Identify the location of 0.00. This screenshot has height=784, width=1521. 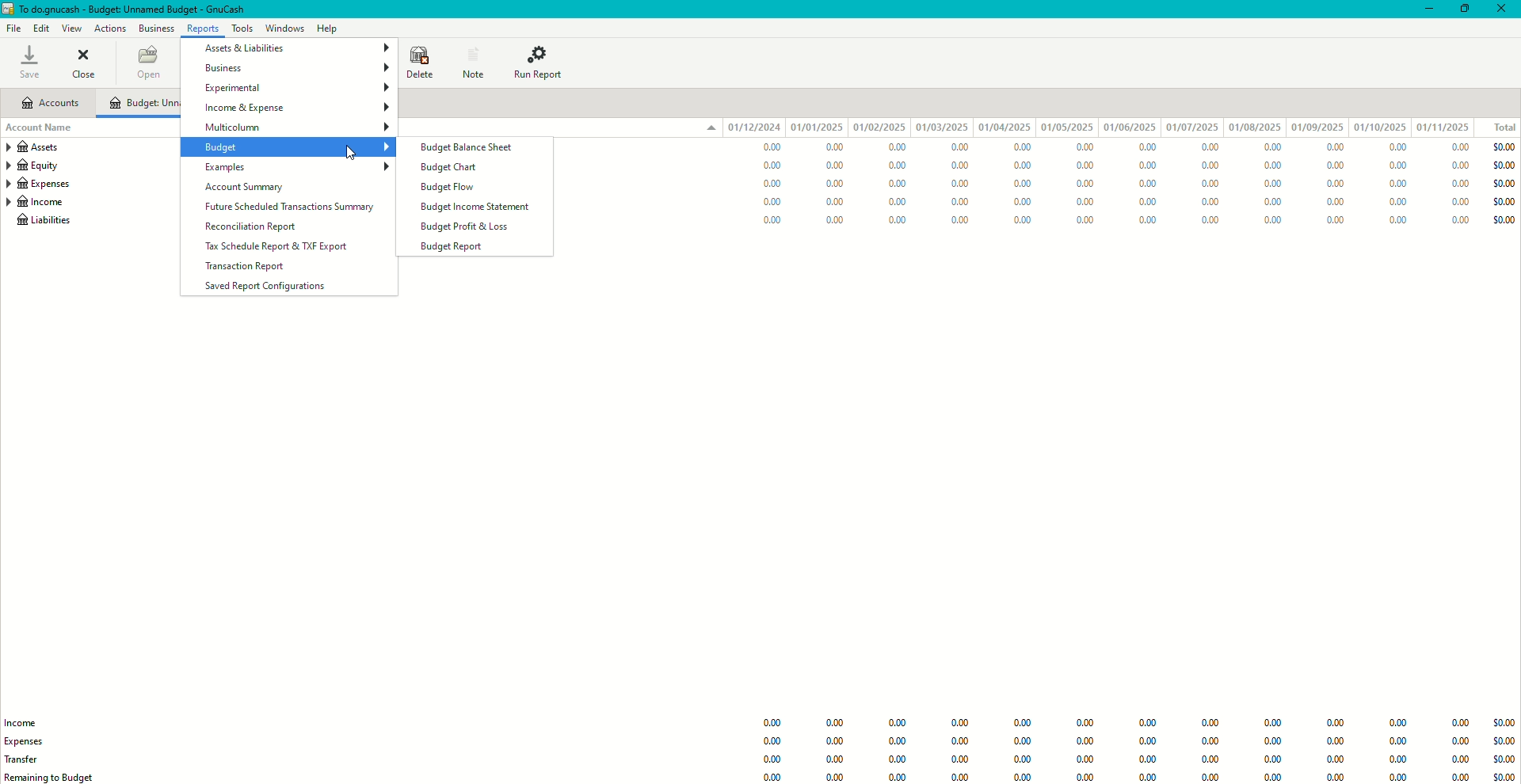
(1271, 778).